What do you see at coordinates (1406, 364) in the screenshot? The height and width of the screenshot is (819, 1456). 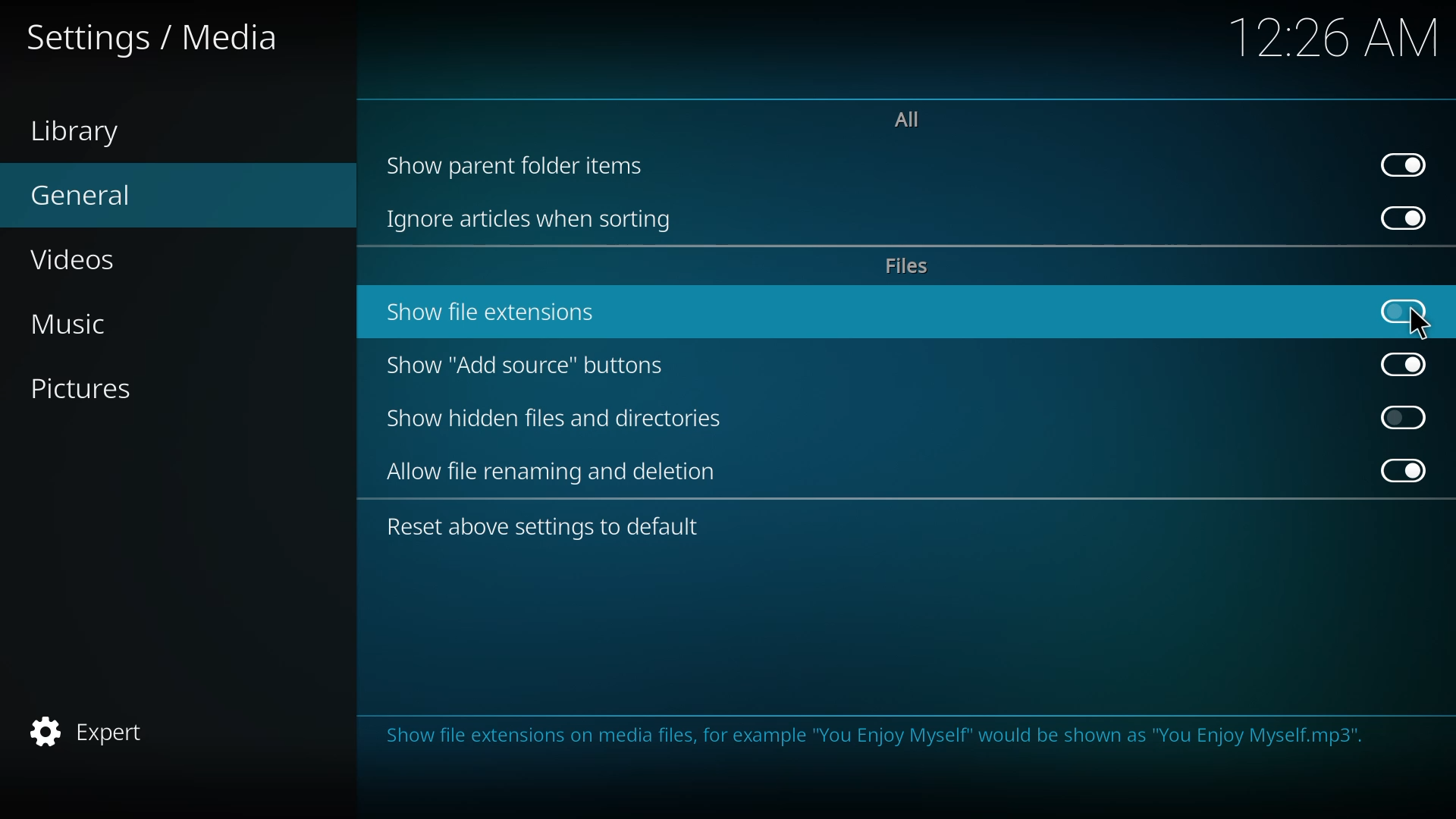 I see `enabled` at bounding box center [1406, 364].